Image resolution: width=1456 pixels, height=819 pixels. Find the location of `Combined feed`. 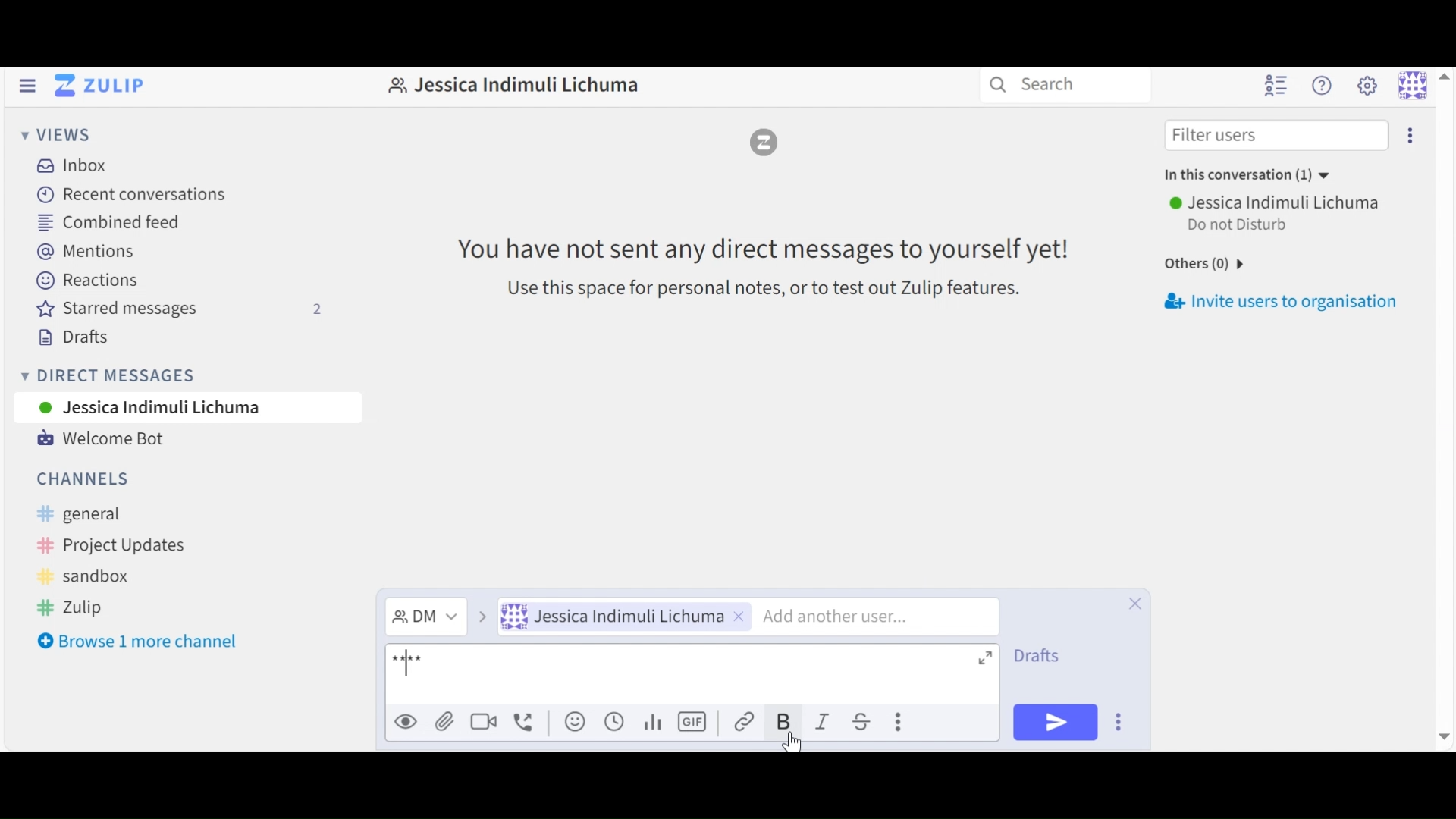

Combined feed is located at coordinates (110, 224).